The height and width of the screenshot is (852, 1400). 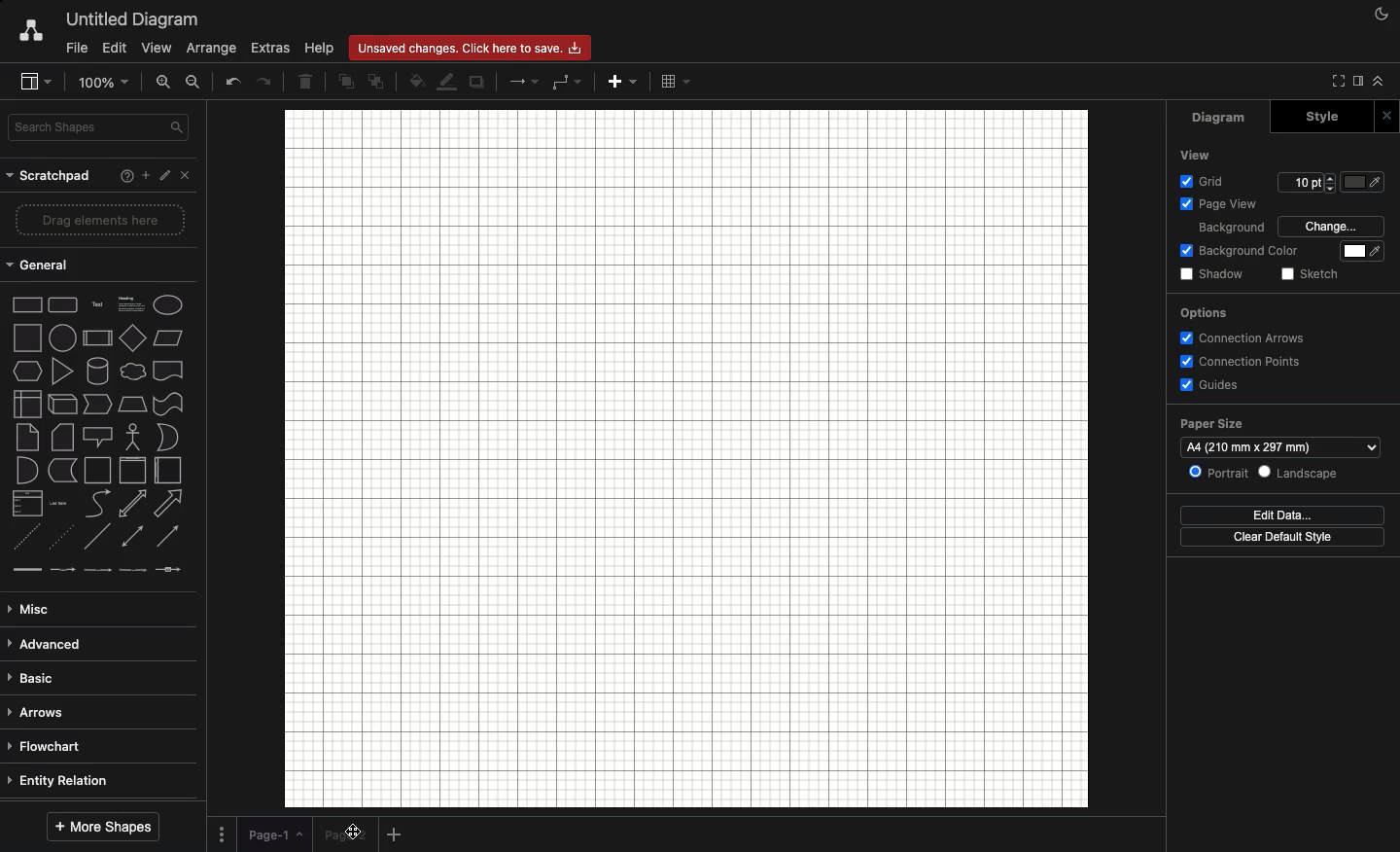 What do you see at coordinates (1300, 185) in the screenshot?
I see `10 pt` at bounding box center [1300, 185].